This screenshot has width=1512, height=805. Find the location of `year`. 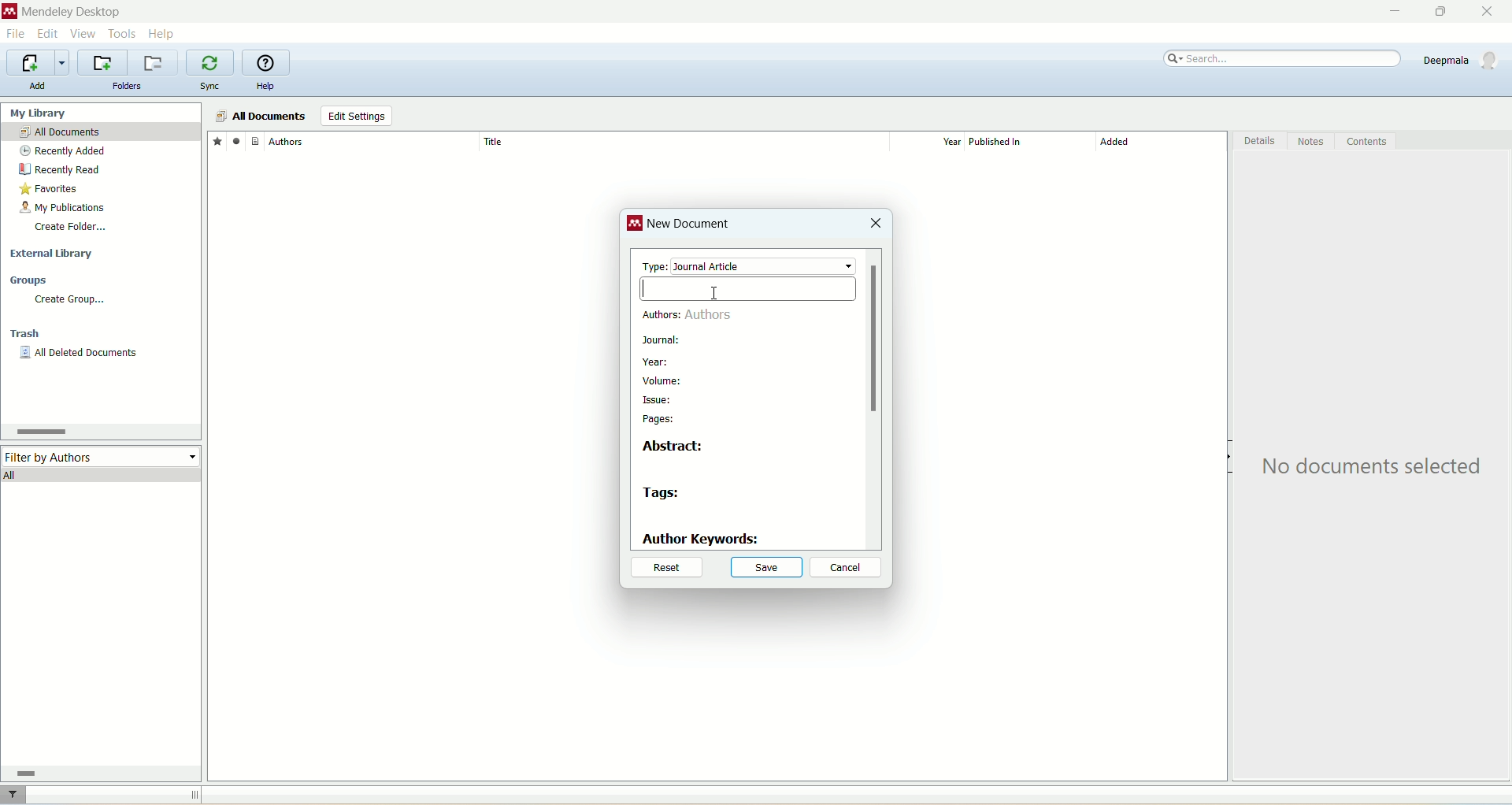

year is located at coordinates (932, 142).